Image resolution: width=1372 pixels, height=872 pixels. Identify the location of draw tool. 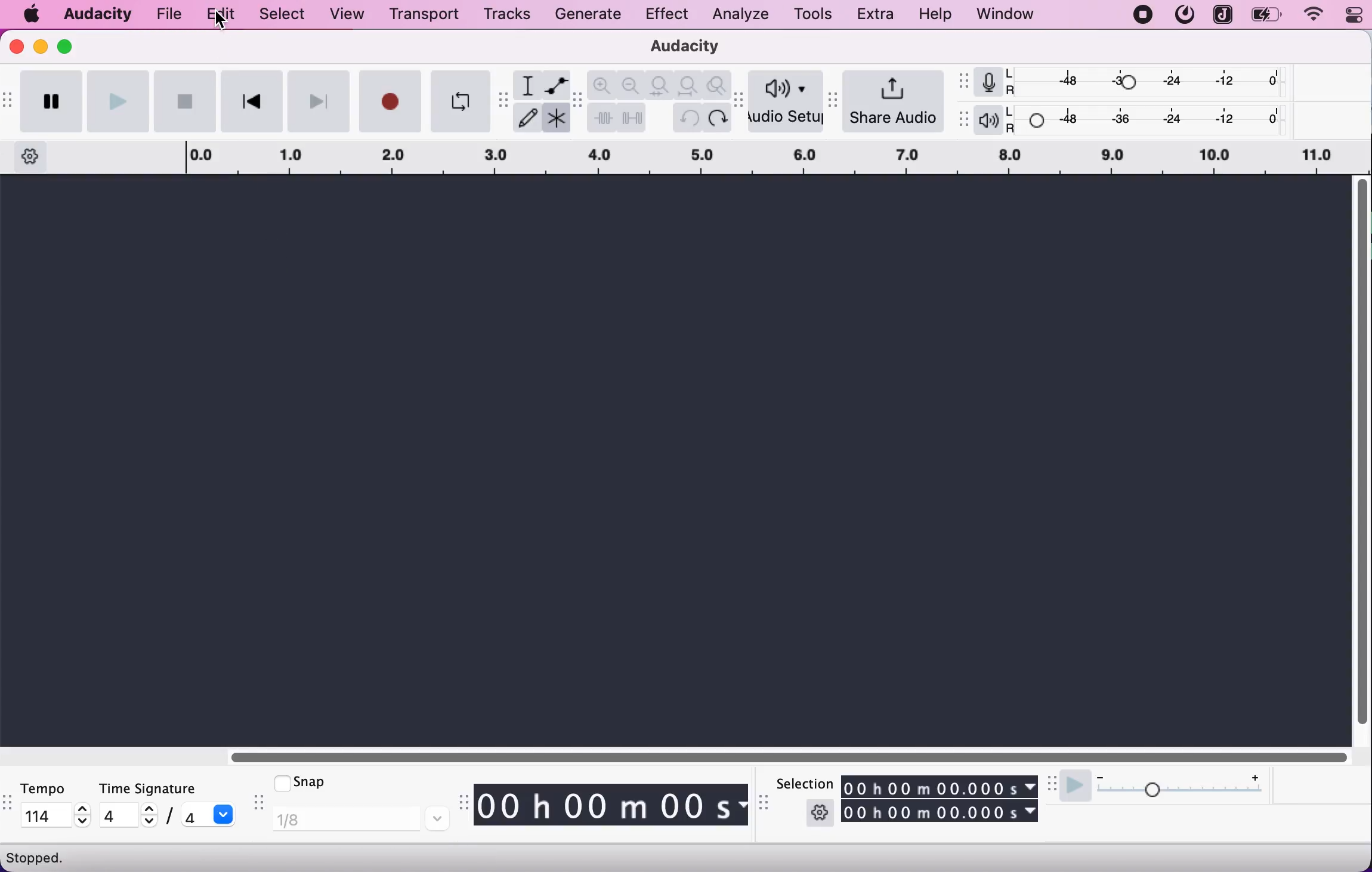
(527, 119).